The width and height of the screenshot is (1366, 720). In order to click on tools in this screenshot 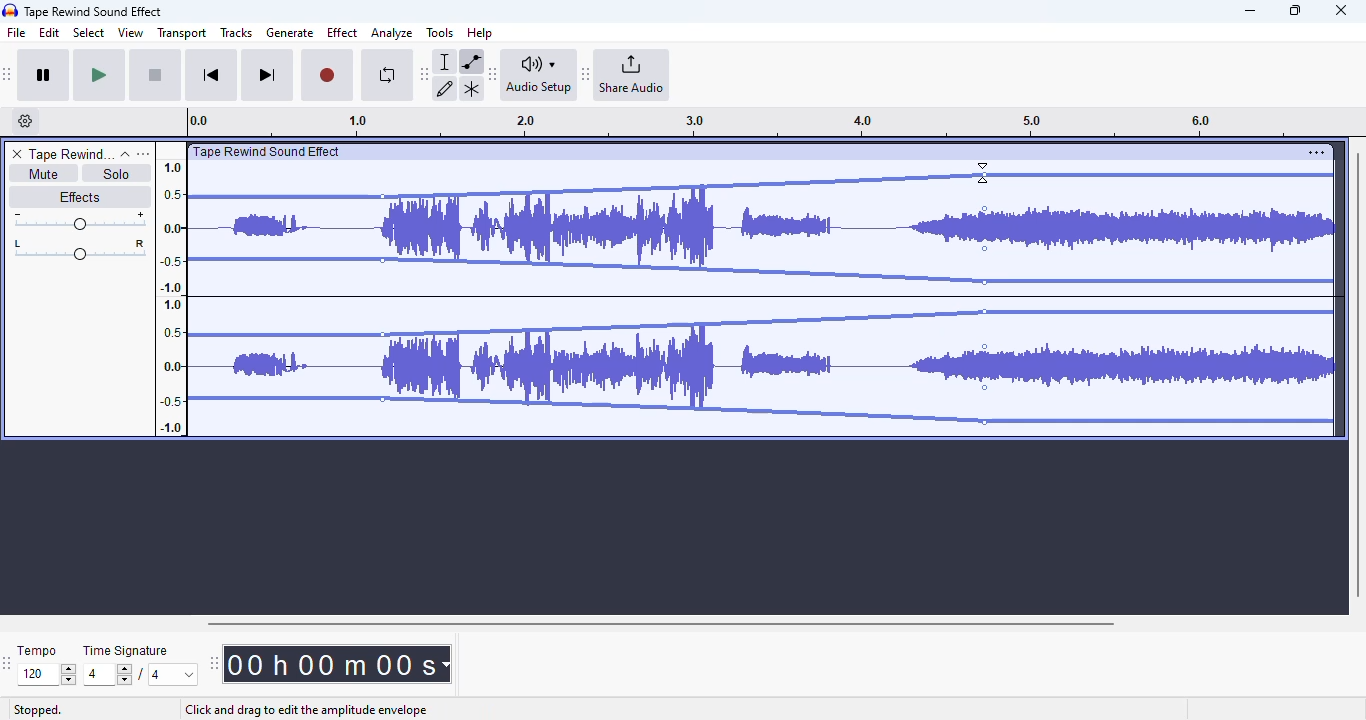, I will do `click(440, 32)`.